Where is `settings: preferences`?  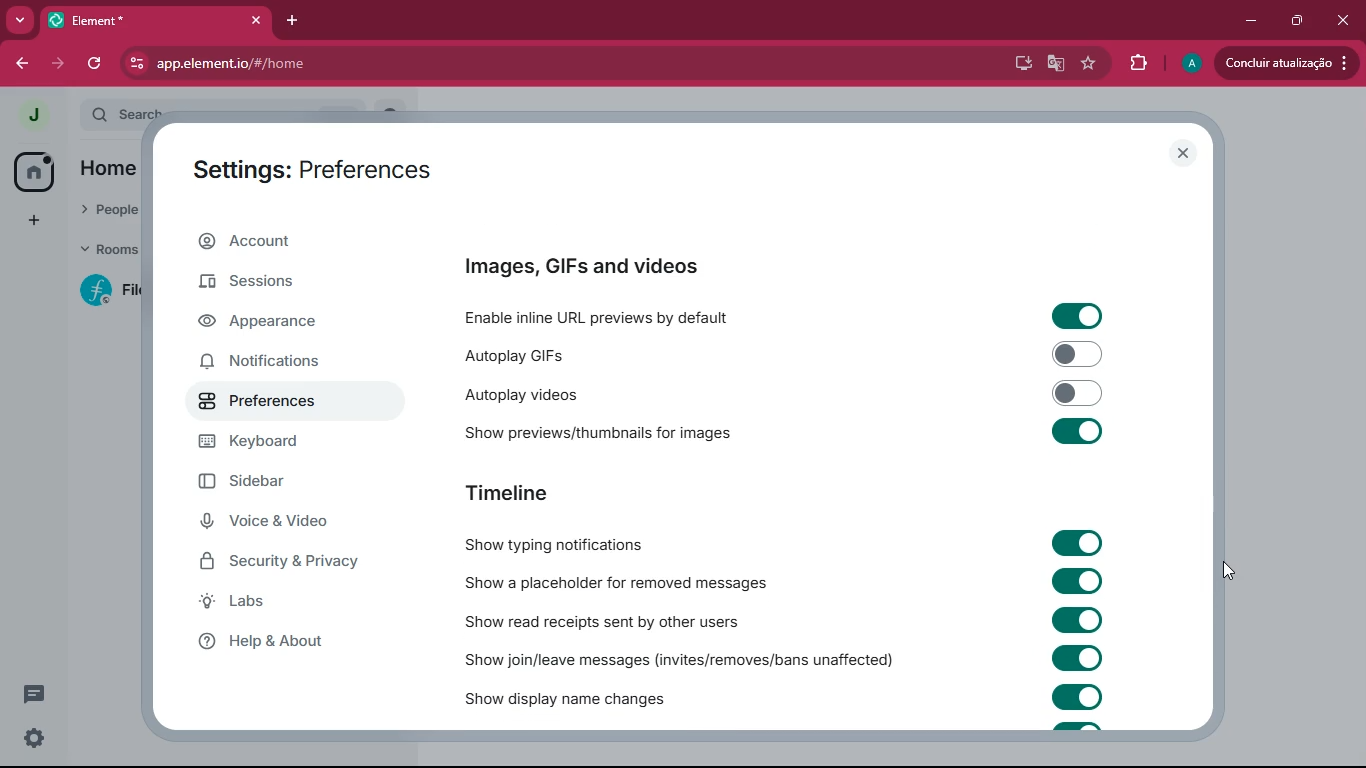 settings: preferences is located at coordinates (309, 171).